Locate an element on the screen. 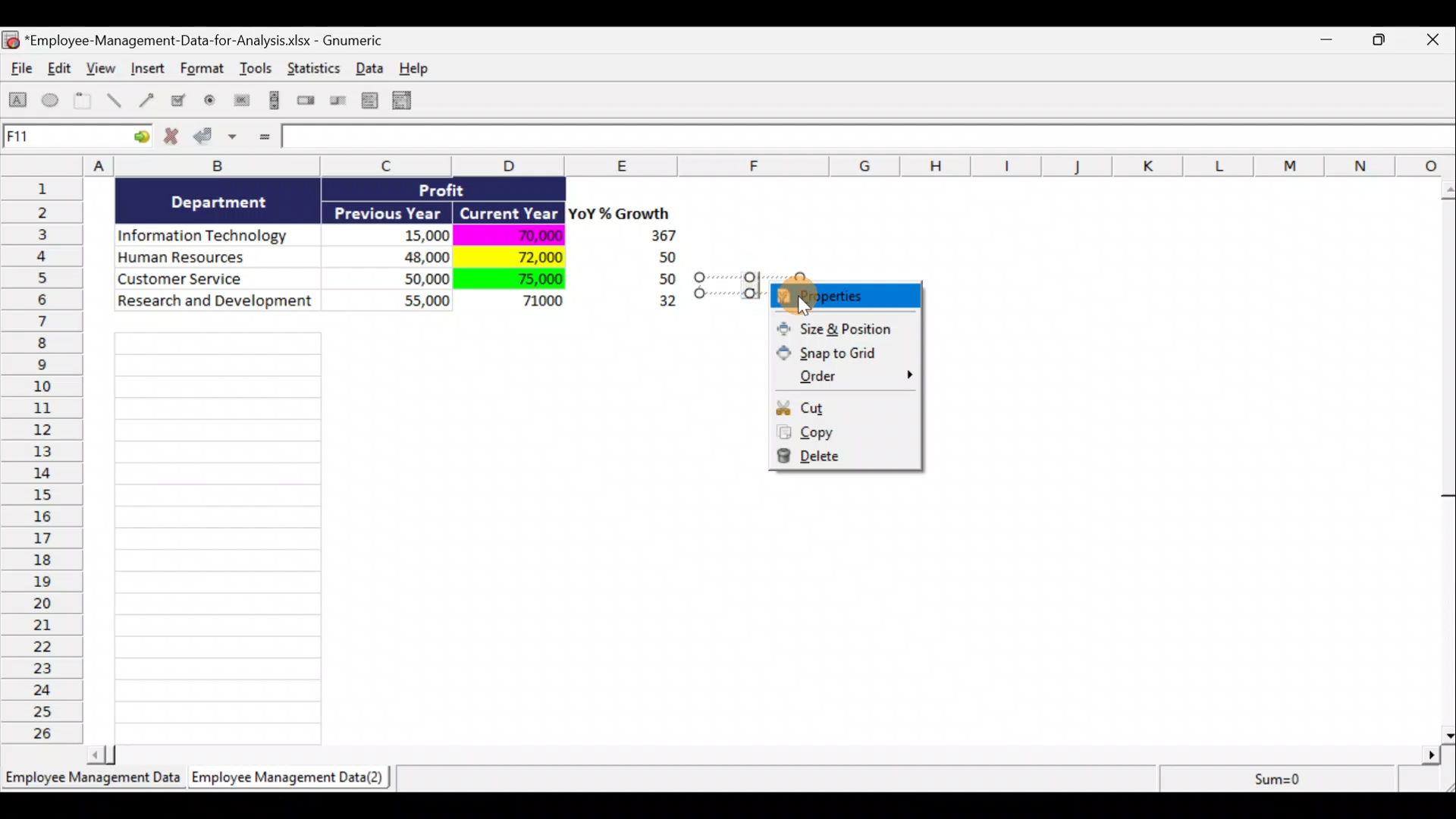 The image size is (1456, 819). Order is located at coordinates (849, 376).